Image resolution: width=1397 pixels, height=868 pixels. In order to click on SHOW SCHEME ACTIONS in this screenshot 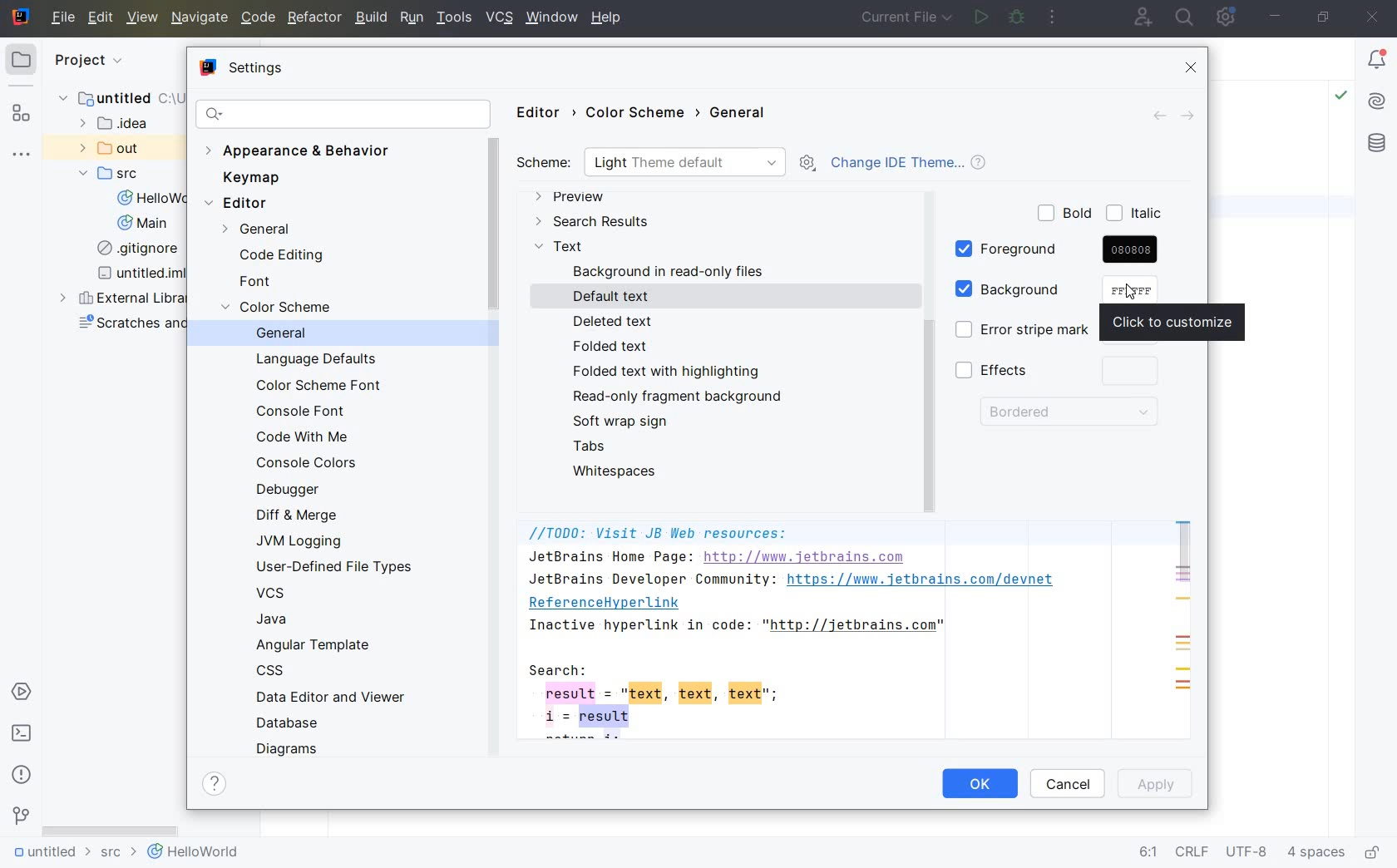, I will do `click(807, 164)`.